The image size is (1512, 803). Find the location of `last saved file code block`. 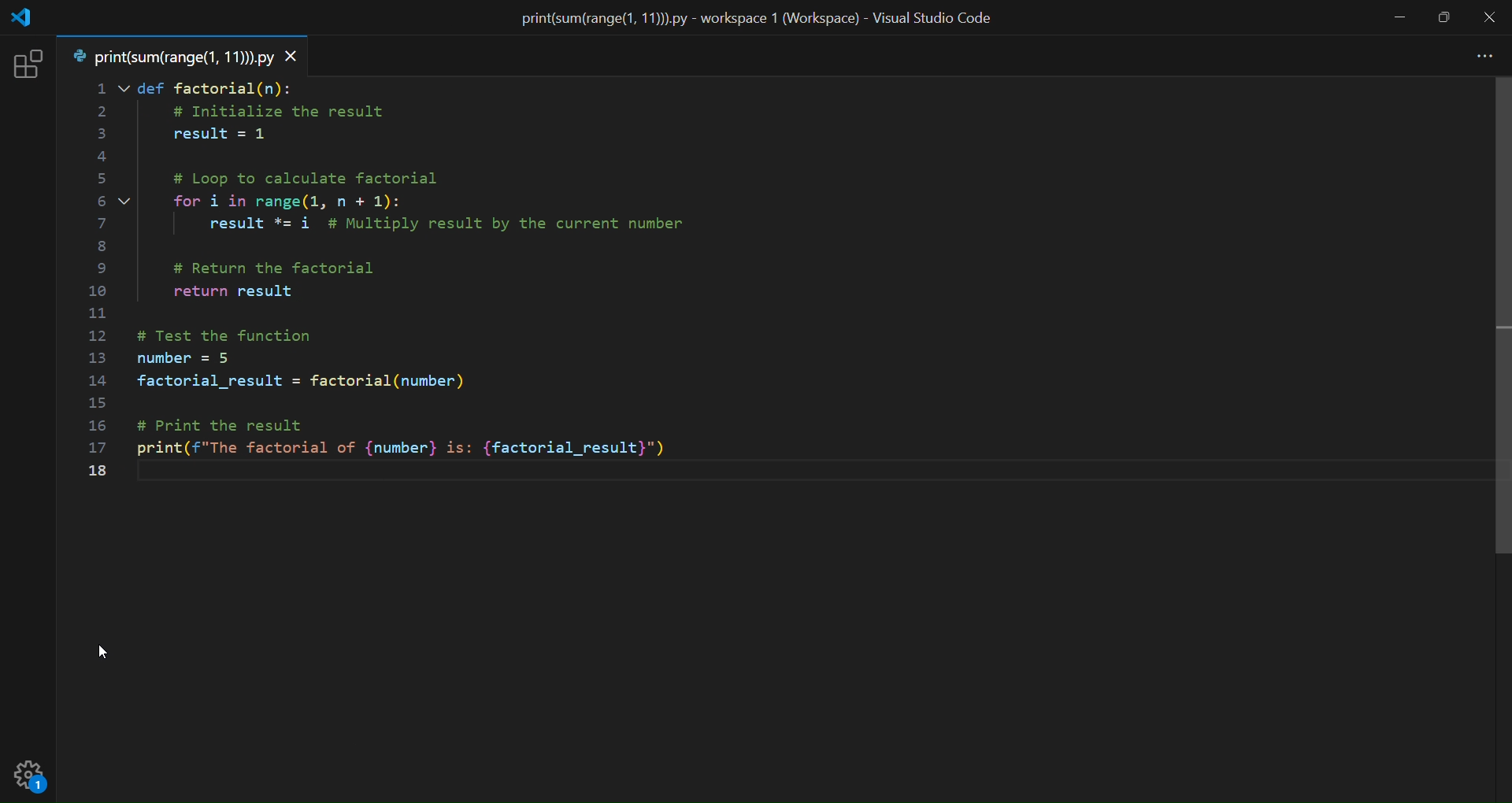

last saved file code block is located at coordinates (766, 309).